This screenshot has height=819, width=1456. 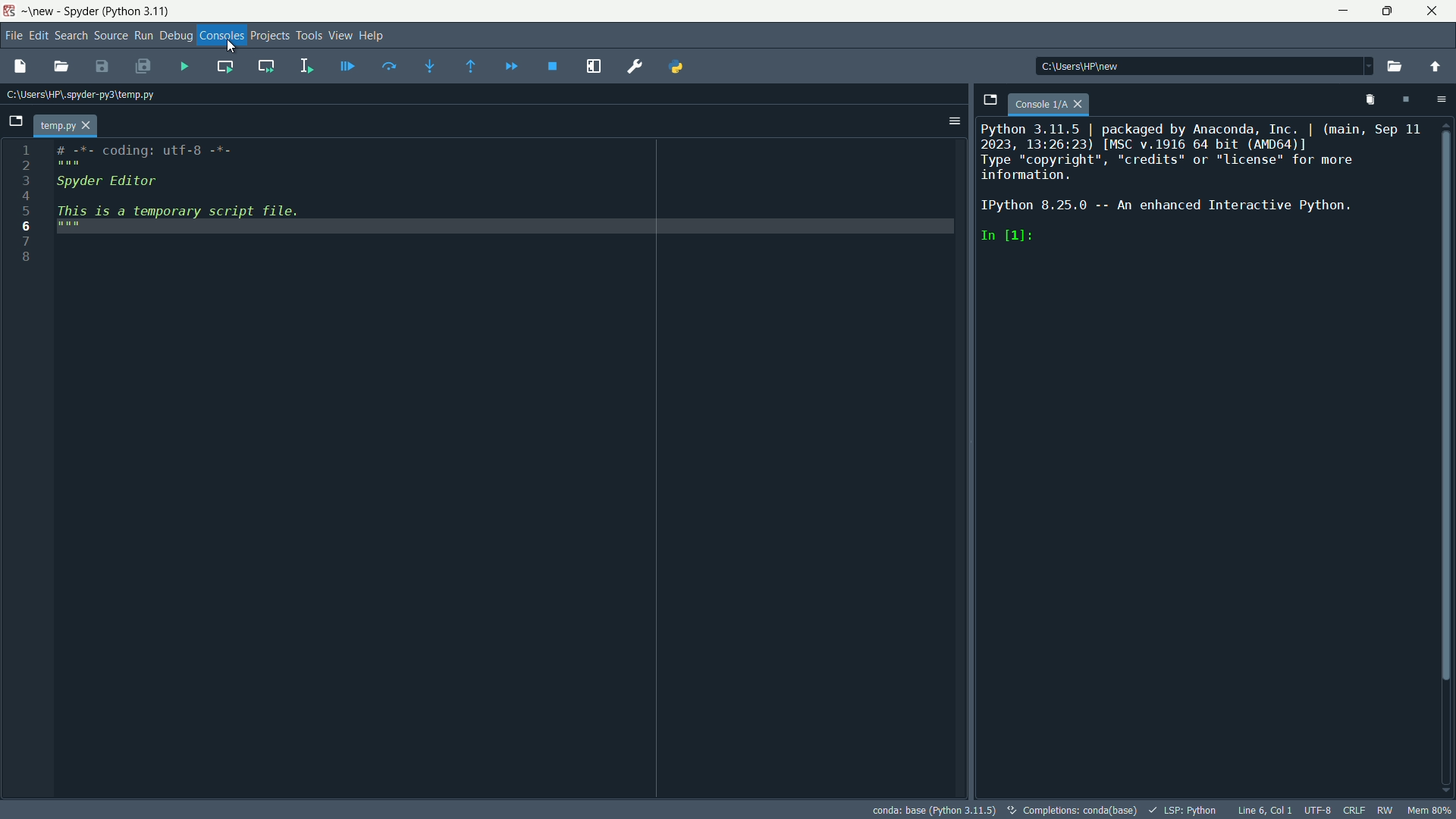 I want to click on source menu, so click(x=110, y=35).